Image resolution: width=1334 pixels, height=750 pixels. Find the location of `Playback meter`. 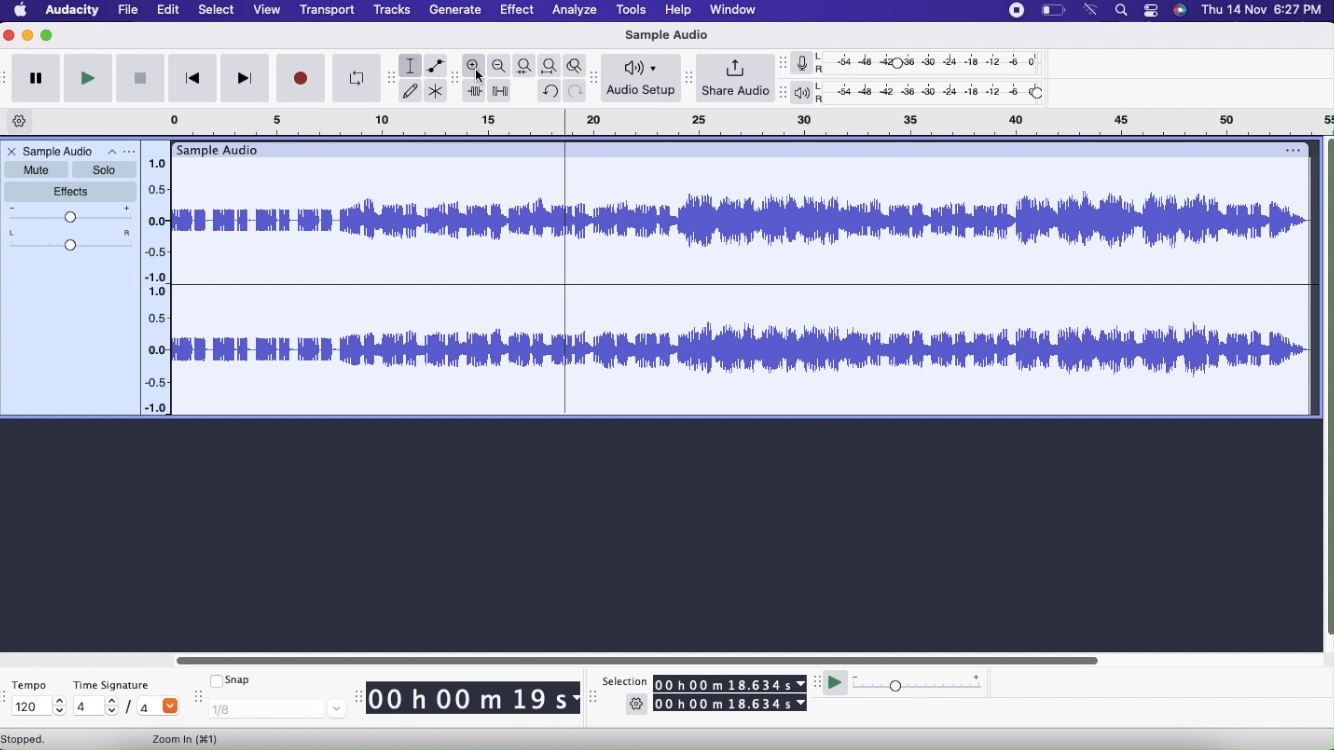

Playback meter is located at coordinates (807, 92).